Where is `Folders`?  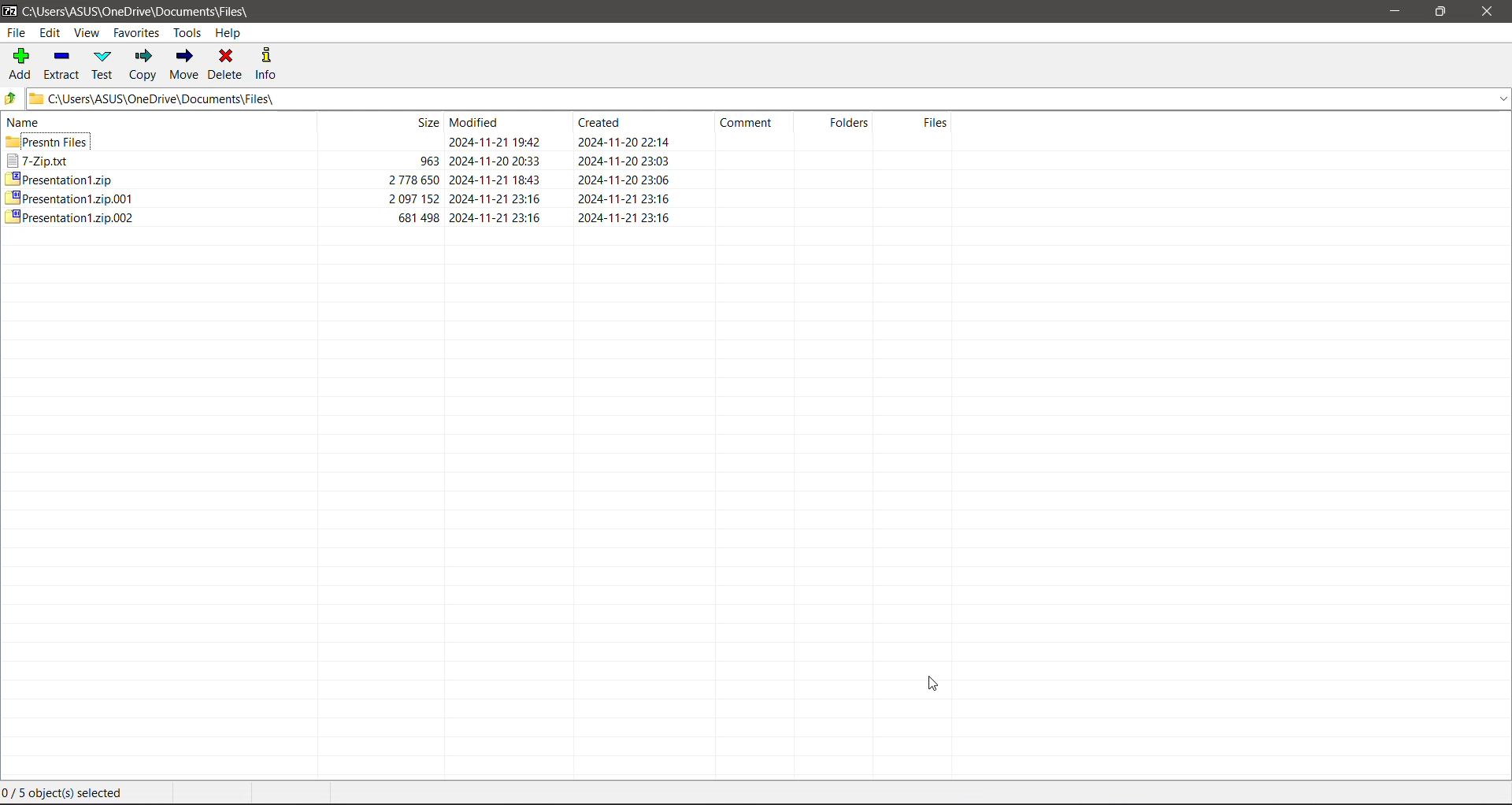
Folders is located at coordinates (851, 121).